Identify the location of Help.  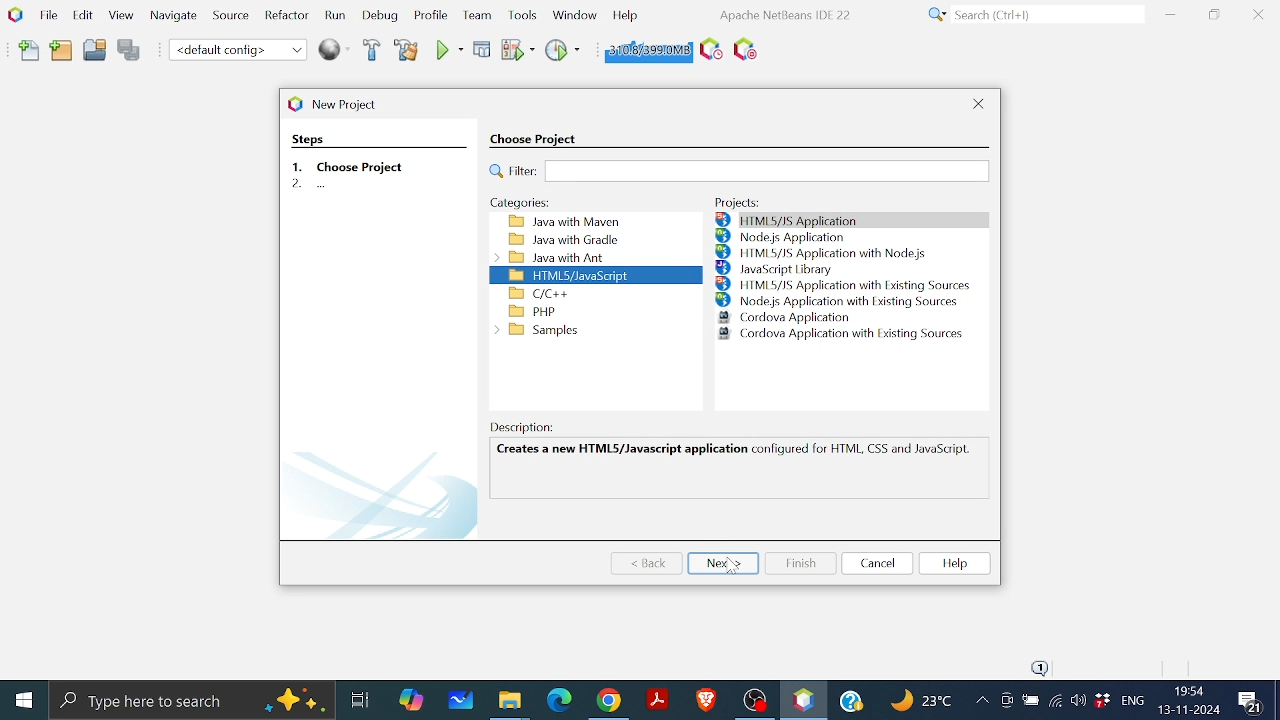
(957, 563).